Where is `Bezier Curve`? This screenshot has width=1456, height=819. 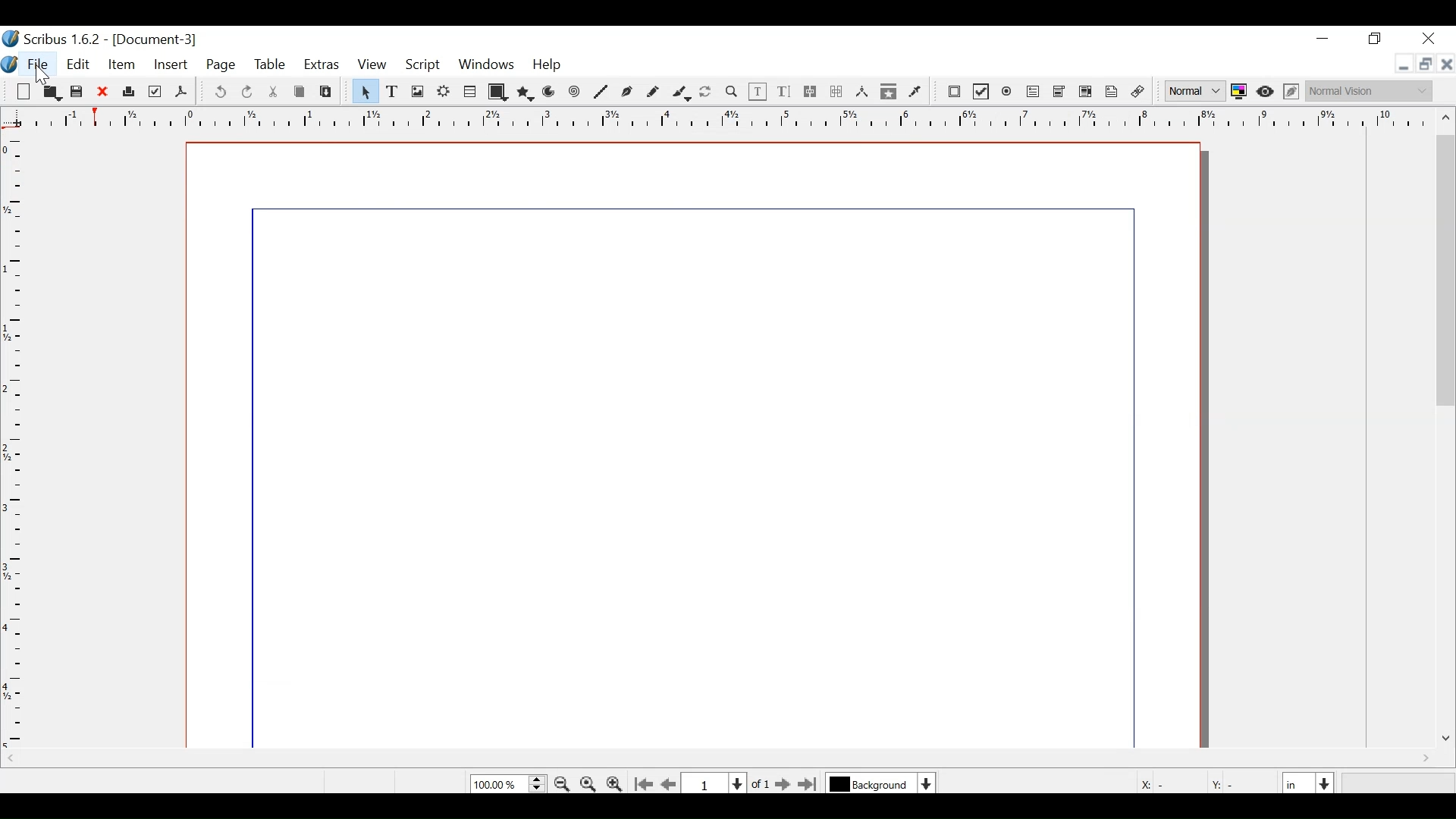
Bezier Curve is located at coordinates (627, 93).